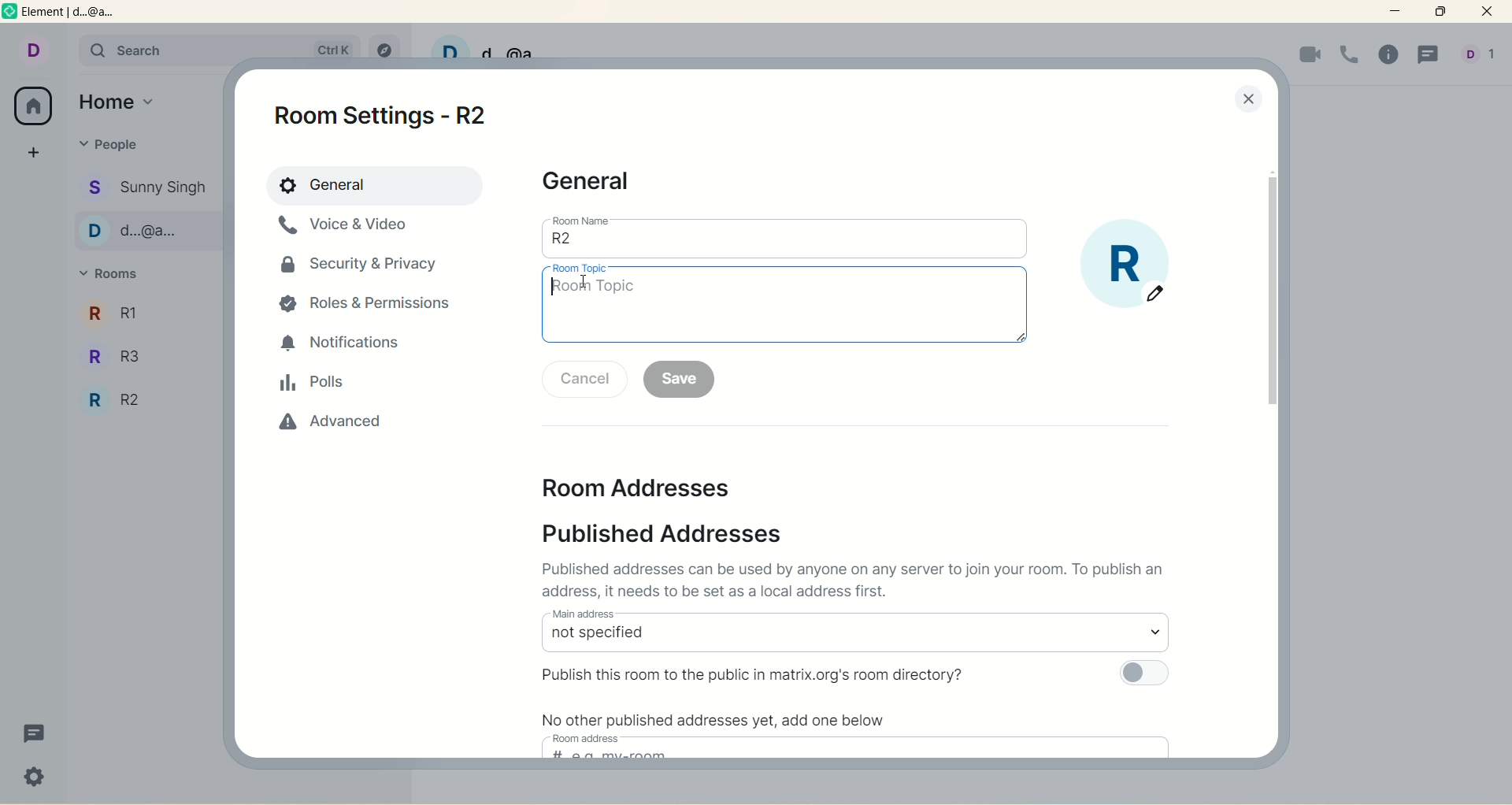 The image size is (1512, 805). Describe the element at coordinates (580, 269) in the screenshot. I see `room topic` at that location.